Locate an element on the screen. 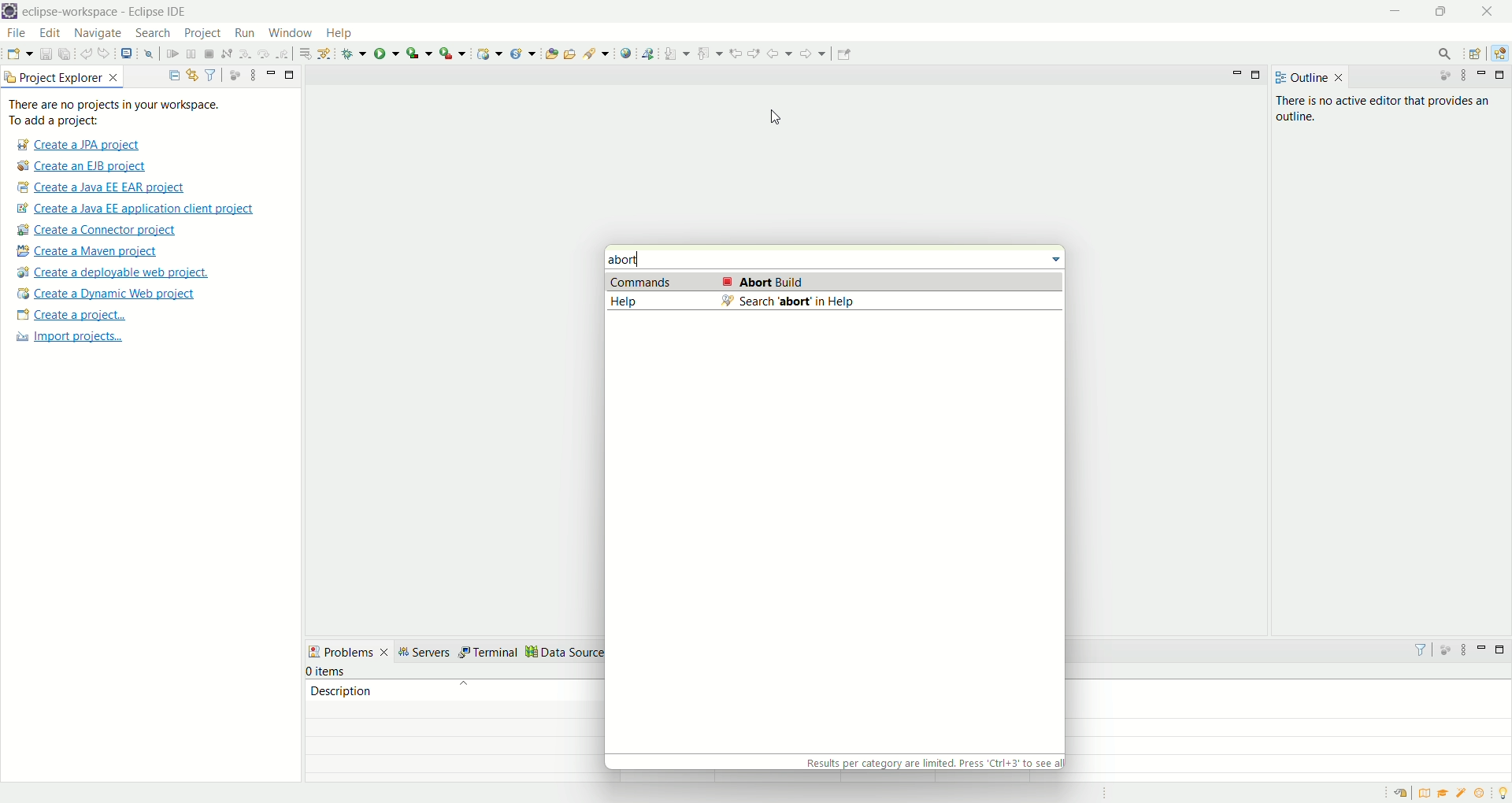 This screenshot has height=803, width=1512. disconnect is located at coordinates (226, 53).